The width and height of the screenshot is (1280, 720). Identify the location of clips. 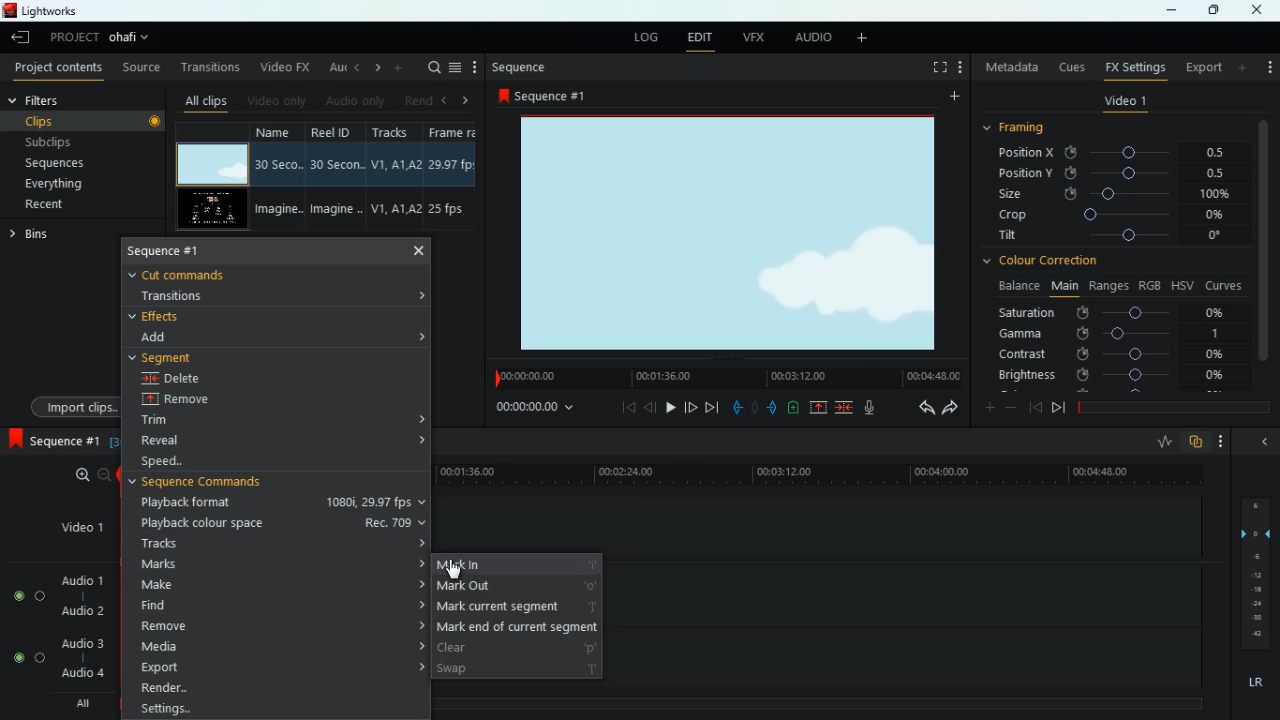
(74, 121).